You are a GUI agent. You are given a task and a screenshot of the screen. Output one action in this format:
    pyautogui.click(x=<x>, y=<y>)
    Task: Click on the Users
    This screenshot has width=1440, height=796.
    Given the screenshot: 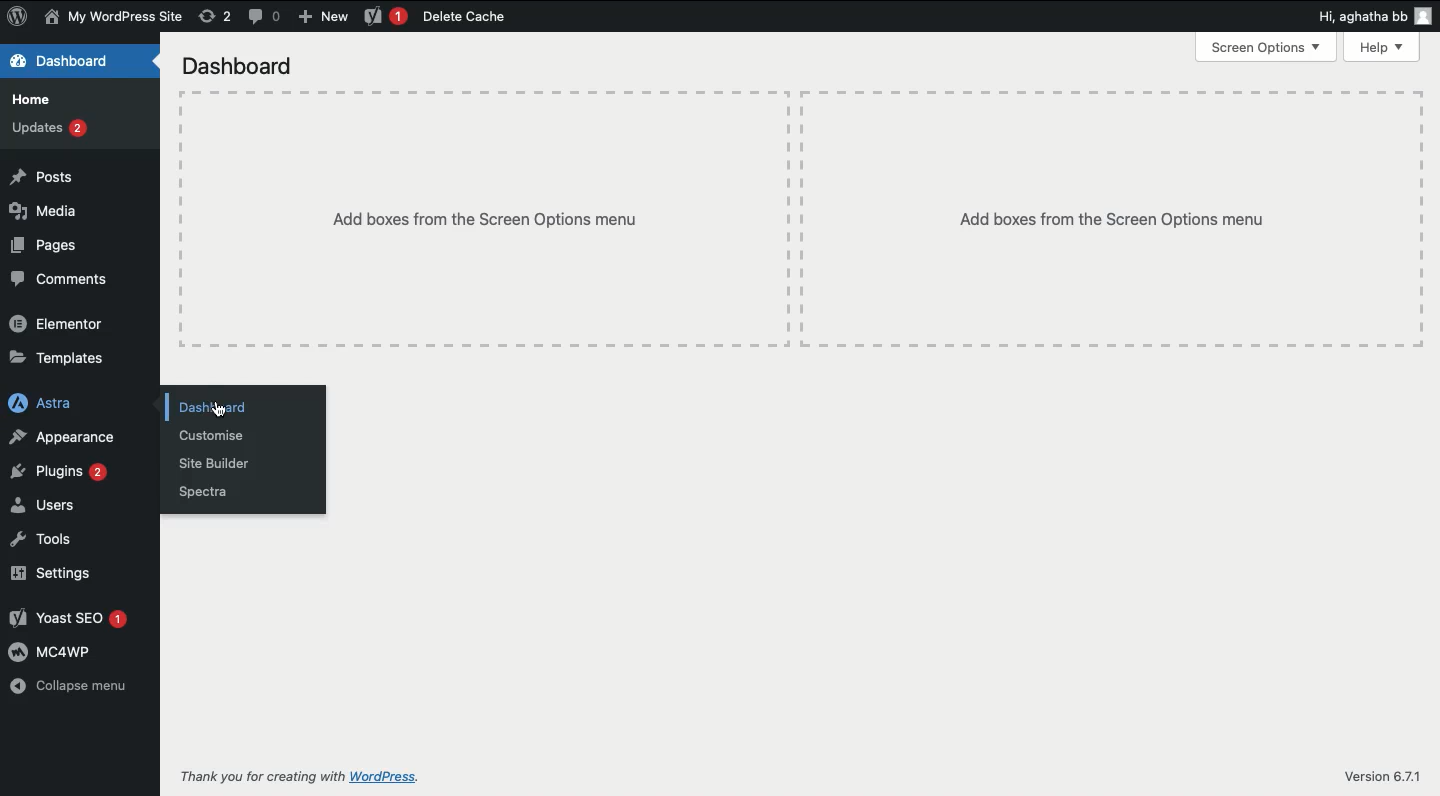 What is the action you would take?
    pyautogui.click(x=49, y=505)
    